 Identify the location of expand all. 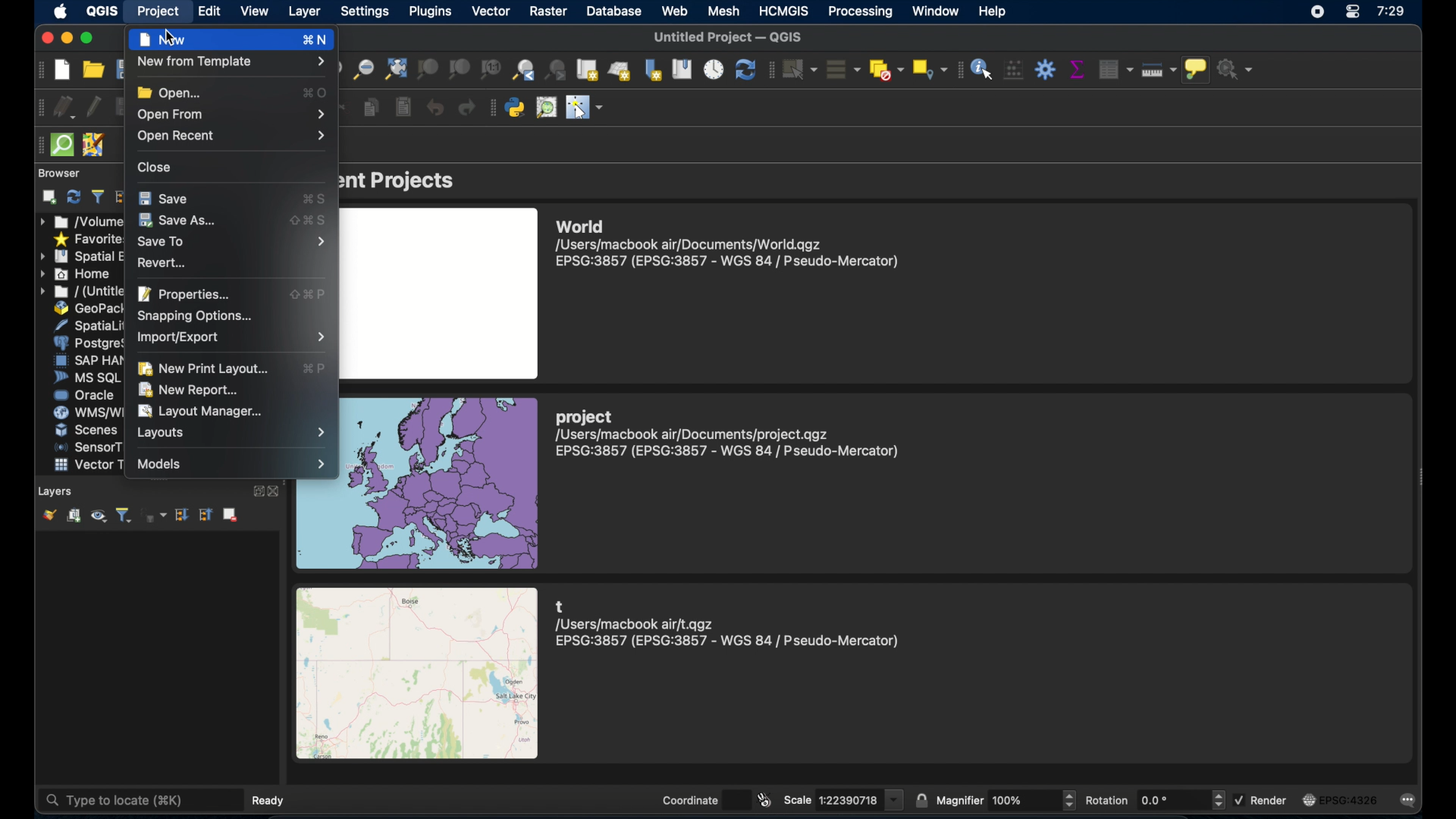
(183, 514).